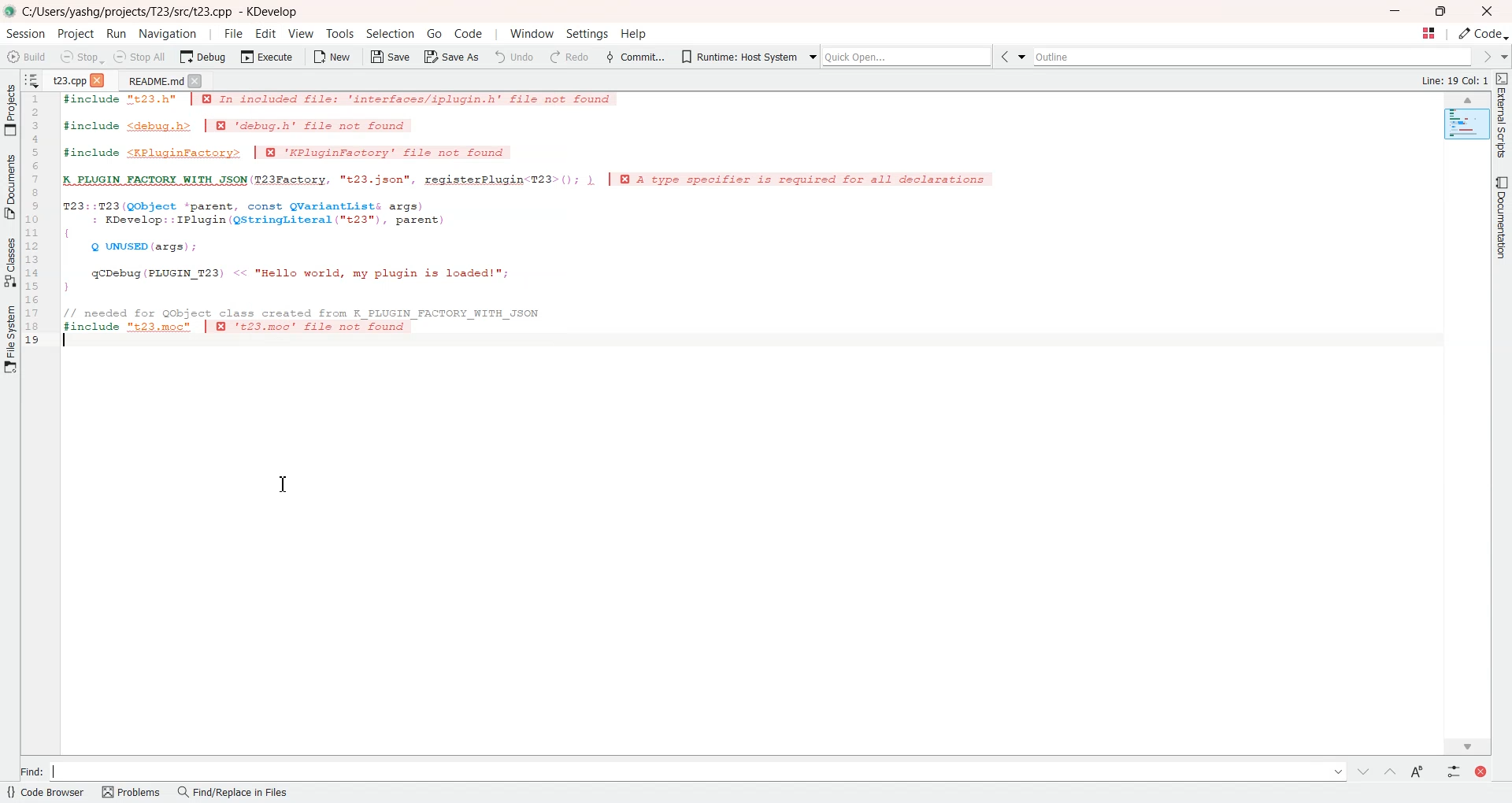 This screenshot has width=1512, height=803. What do you see at coordinates (541, 223) in the screenshot?
I see `include “t23.h" | W@ In included file: 'interfaces/iplugin.h’ file not found
include sdebug.h> | B 'debug.h’ file not found
include <KPluginFactory> | B 'KPluginFactory' file not found
_ PLUGIN FACTORY WITH JSON (T23Factory, "t23.json", registerPlugin<723>(); ) | B A type specifier is required for all declarations
23: :723 (QObject ‘parent, const QUariantListi args)
: KDevelop::IPlugin(Q@StringLiteral ("t23"), parent)
Q UNUSED (args) ;
qCDebug (PLUGIN_T23) << "Hello world, my plugin is loaded!";
/ needed for Qobject class created from K_PLUGIN FACTORY WITH_JSON
include "t23.moc” | @ '¢23.moc’ file not found` at bounding box center [541, 223].